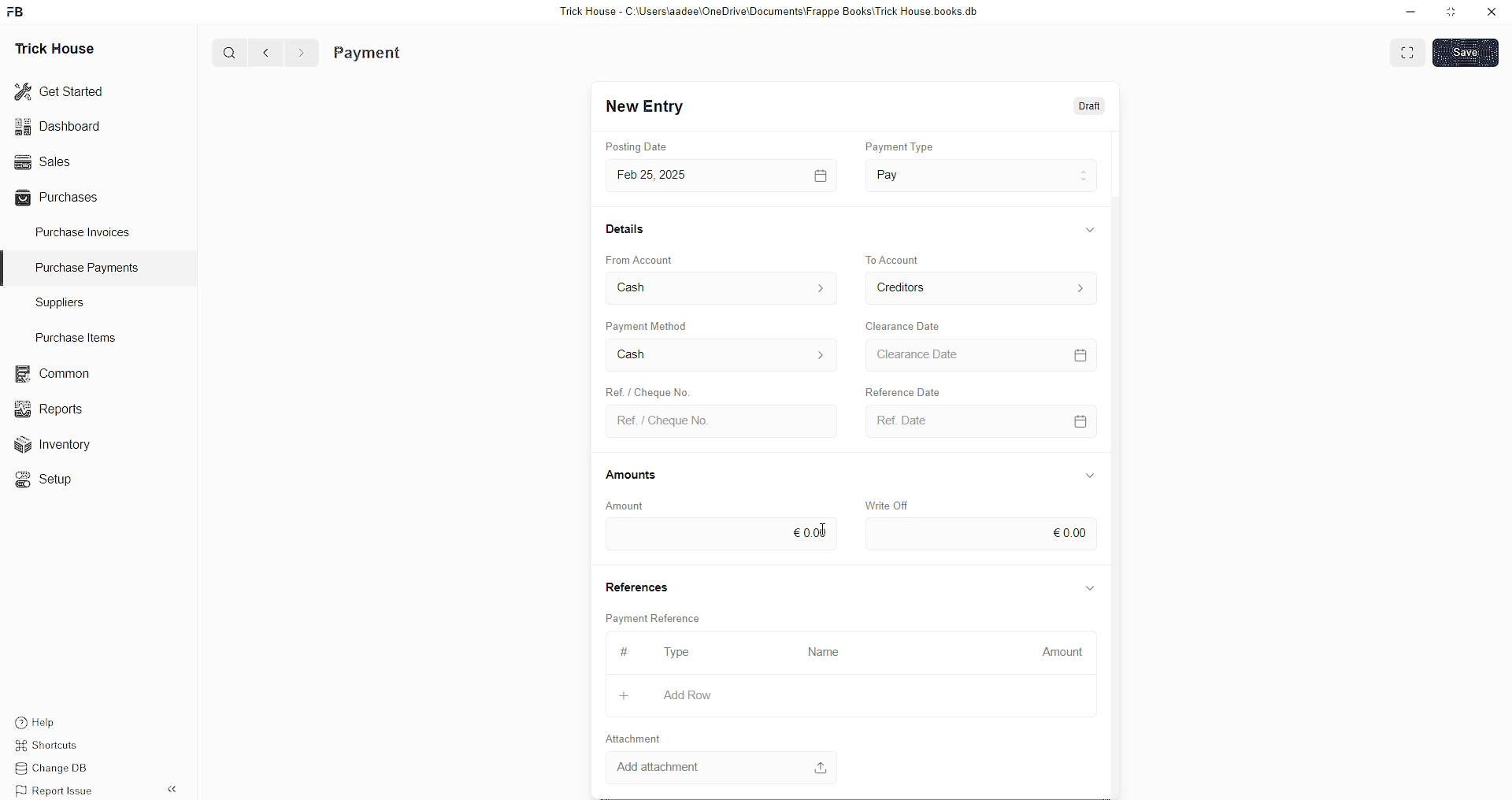 The width and height of the screenshot is (1512, 800). What do you see at coordinates (54, 302) in the screenshot?
I see `Suppliers` at bounding box center [54, 302].